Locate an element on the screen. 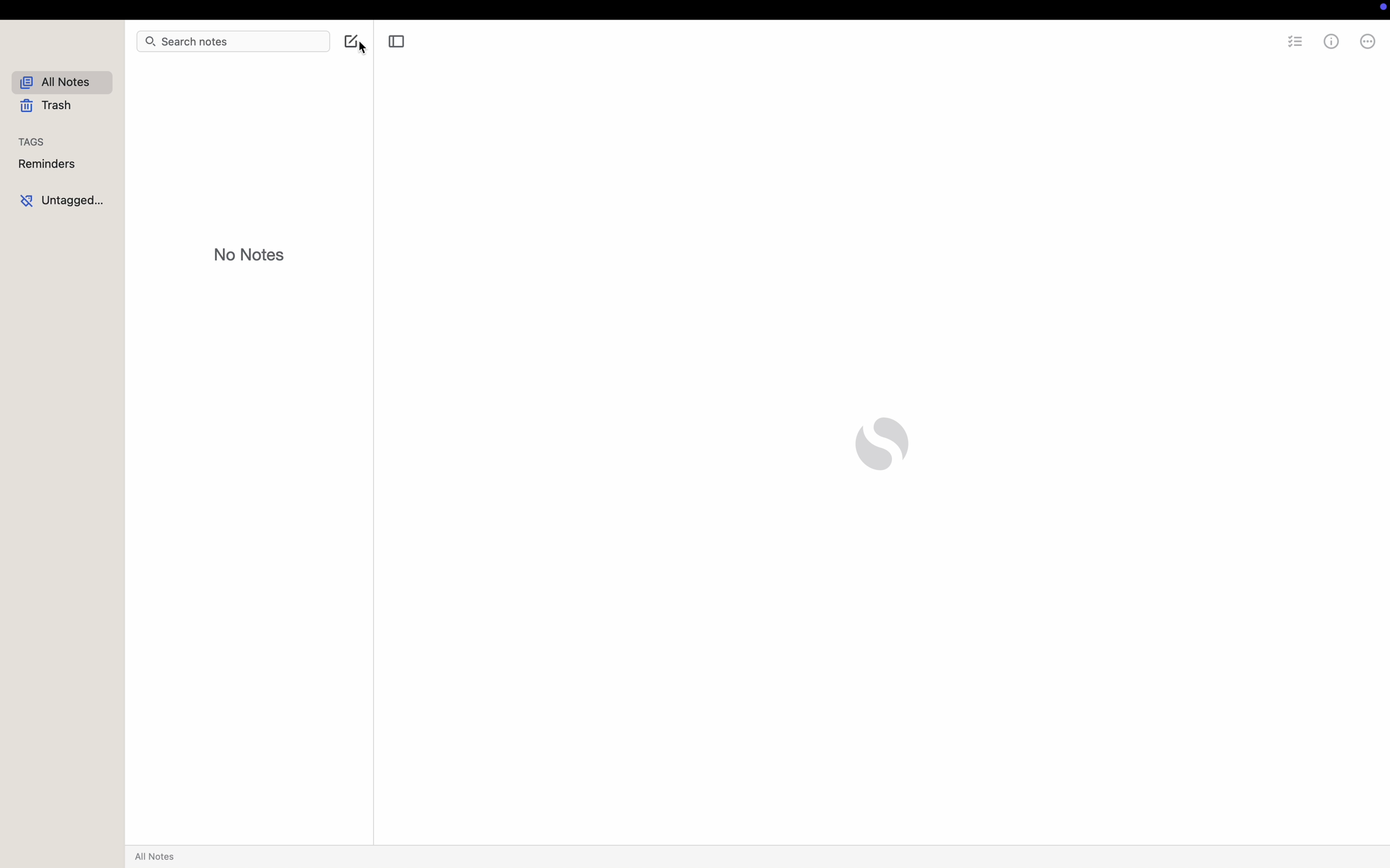 The image size is (1390, 868). toggle sidebar is located at coordinates (396, 42).